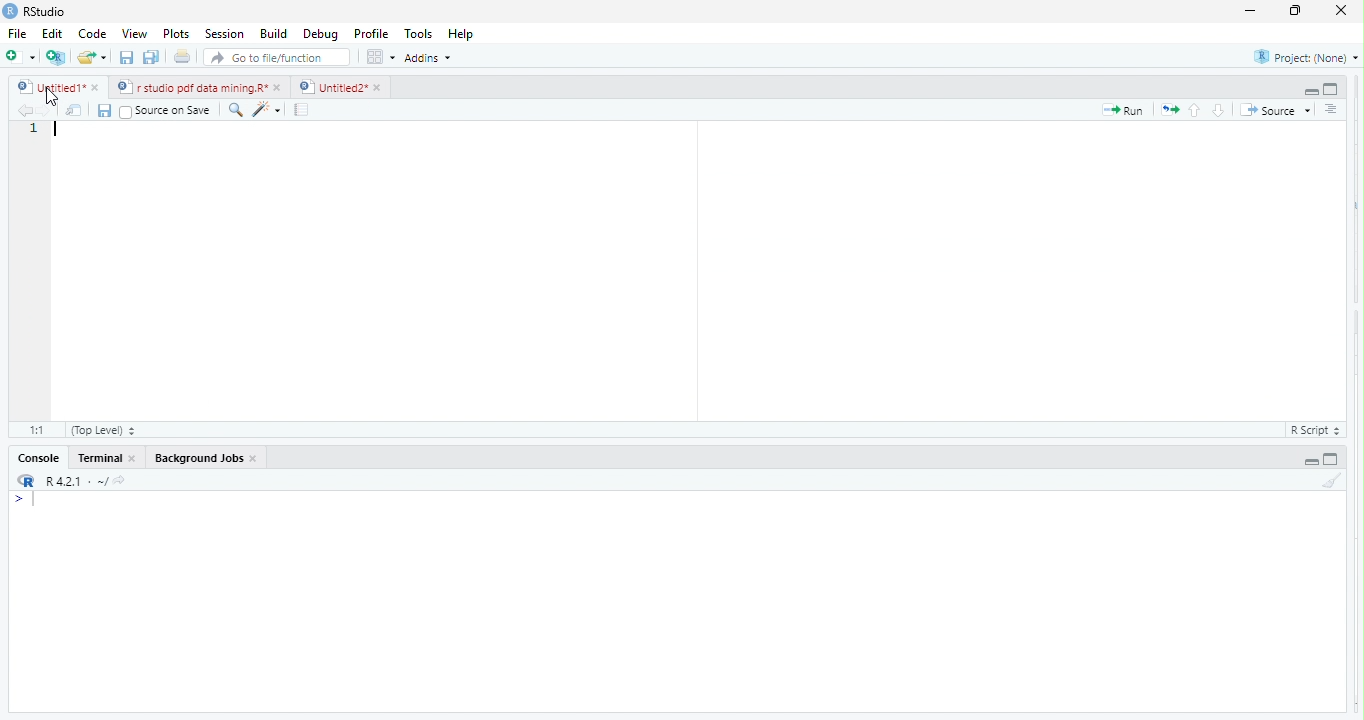 This screenshot has width=1364, height=720. What do you see at coordinates (17, 34) in the screenshot?
I see `File` at bounding box center [17, 34].